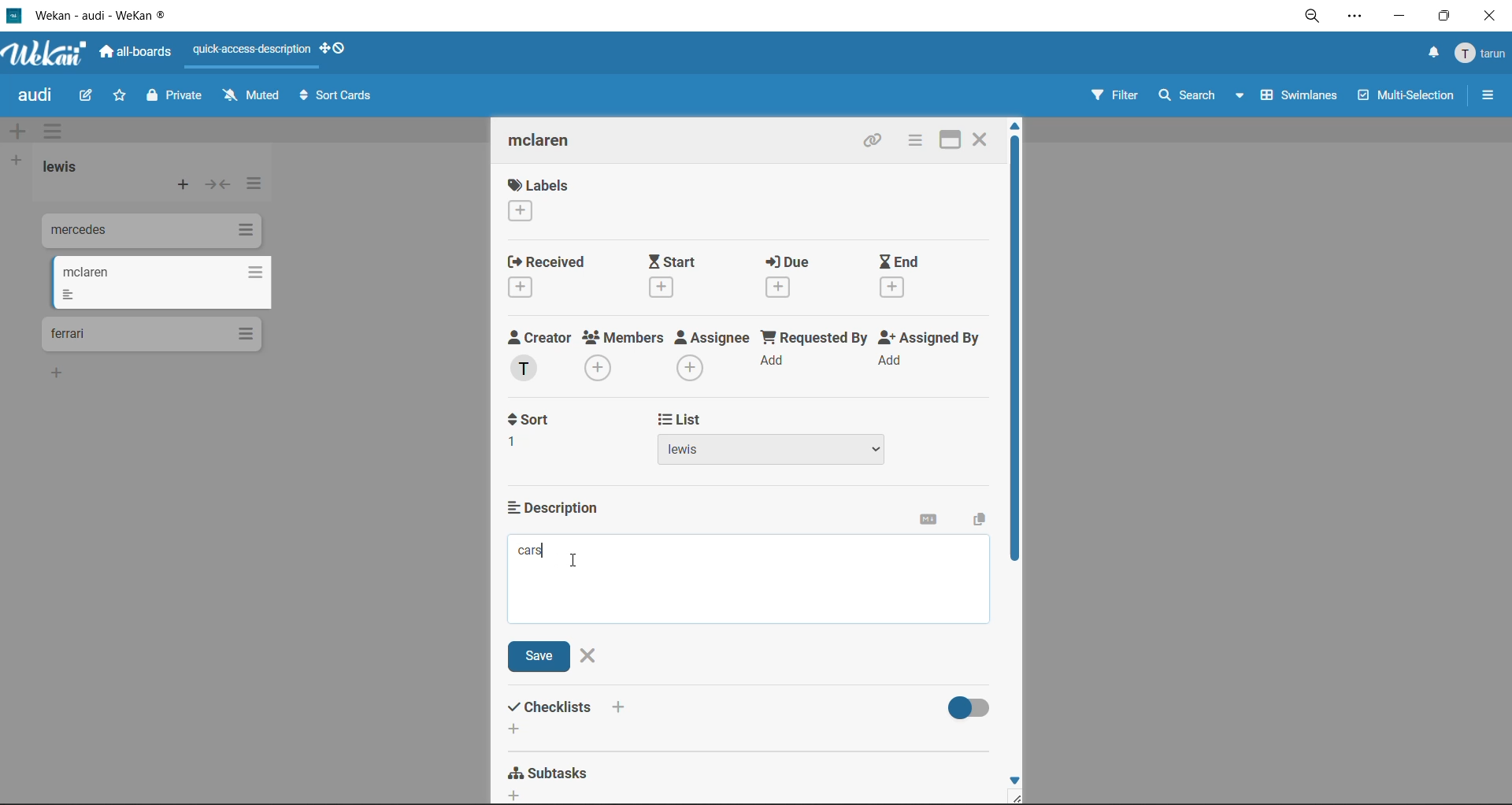 The height and width of the screenshot is (805, 1512). Describe the element at coordinates (1312, 17) in the screenshot. I see `zoom` at that location.